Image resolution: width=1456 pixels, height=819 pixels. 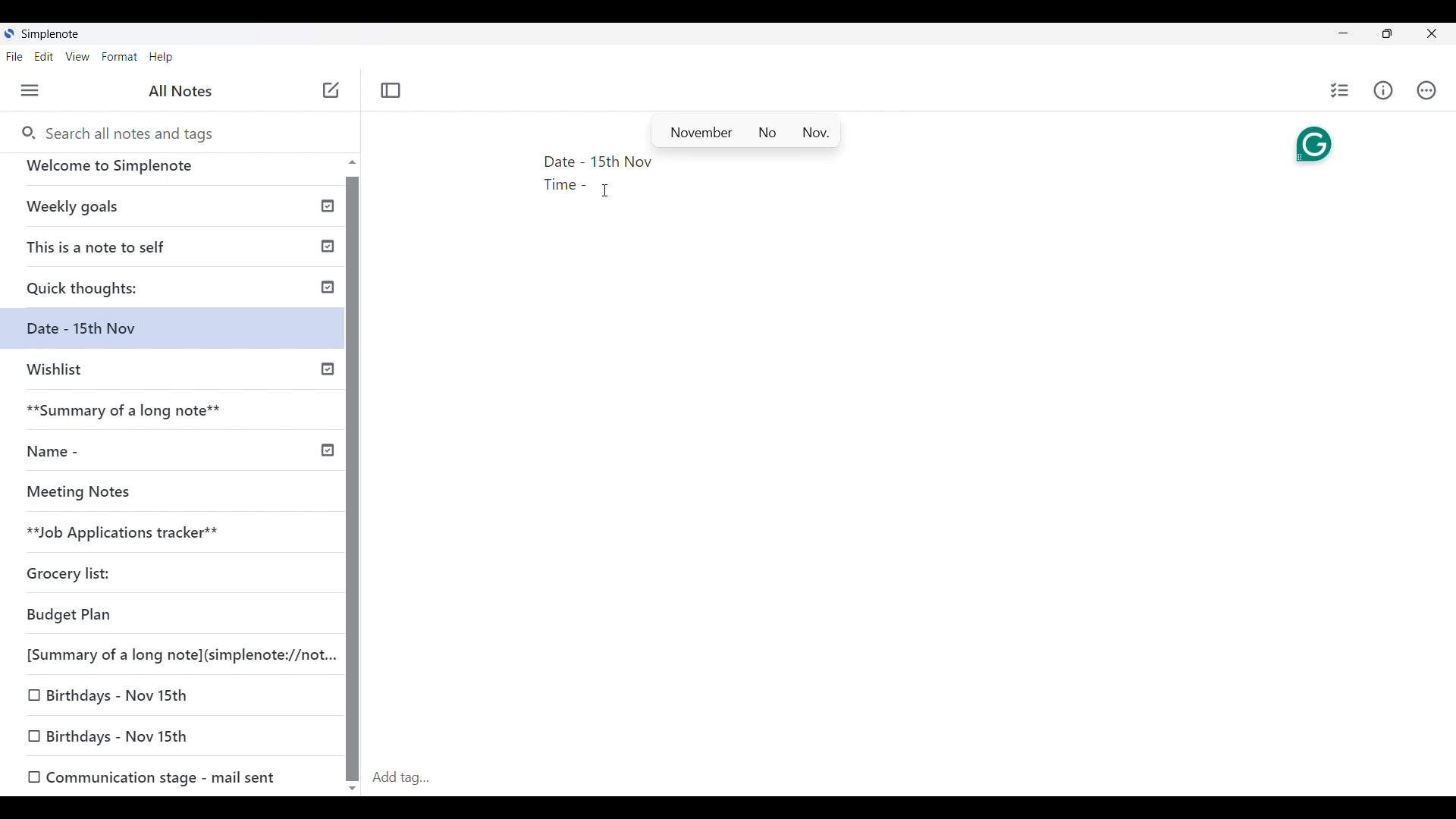 I want to click on Unpublished note, so click(x=174, y=652).